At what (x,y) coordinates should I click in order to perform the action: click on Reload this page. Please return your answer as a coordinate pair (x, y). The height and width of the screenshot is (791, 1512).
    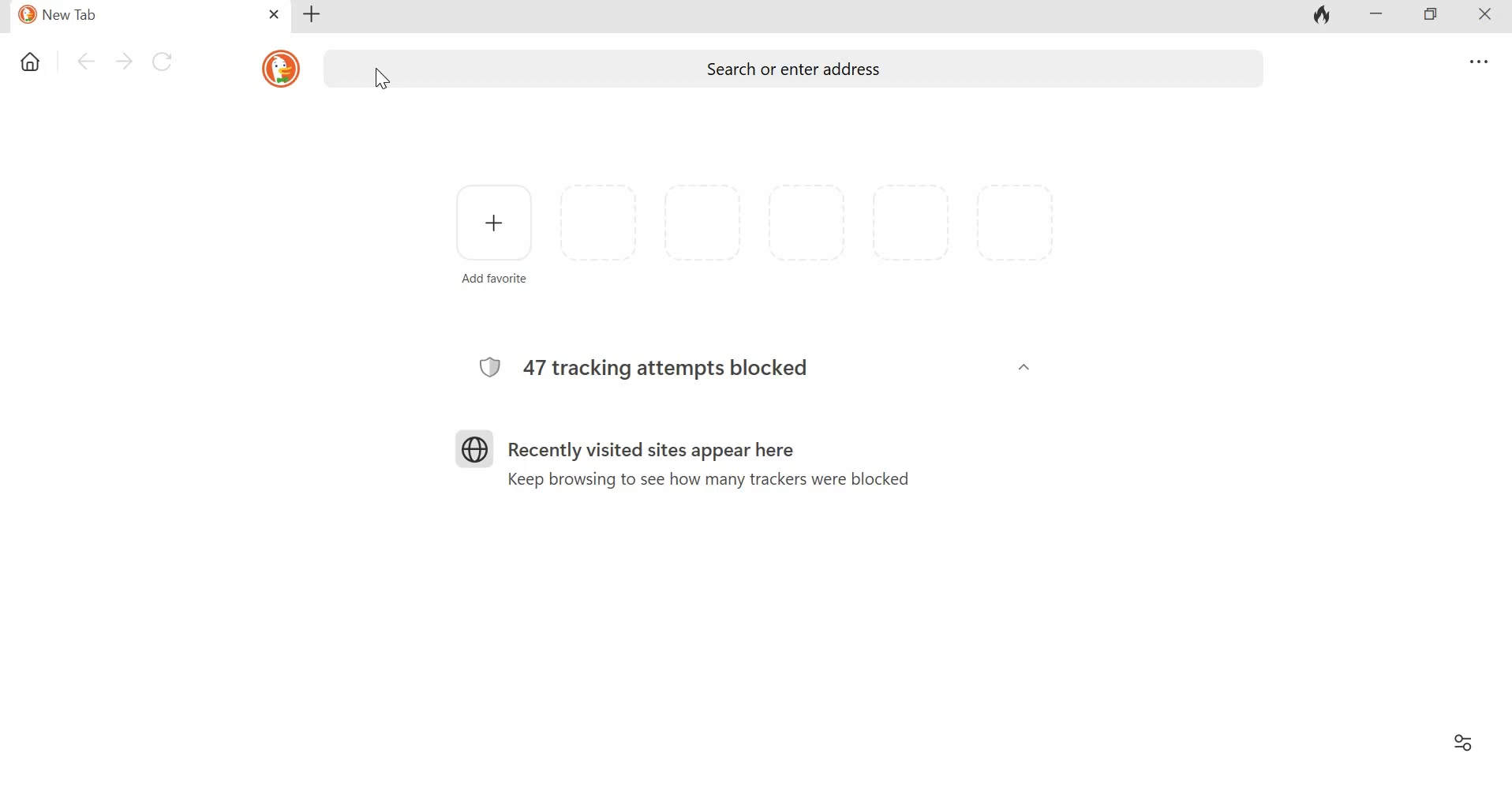
    Looking at the image, I should click on (165, 60).